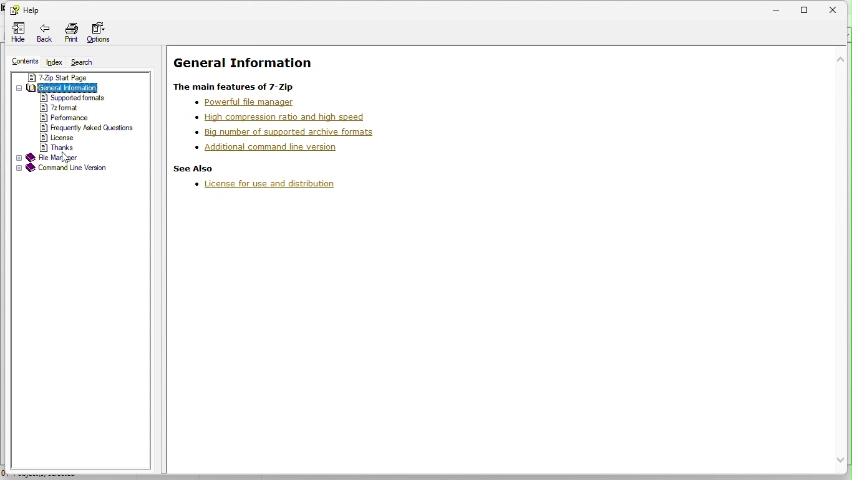 This screenshot has height=480, width=852. I want to click on Print, so click(69, 34).